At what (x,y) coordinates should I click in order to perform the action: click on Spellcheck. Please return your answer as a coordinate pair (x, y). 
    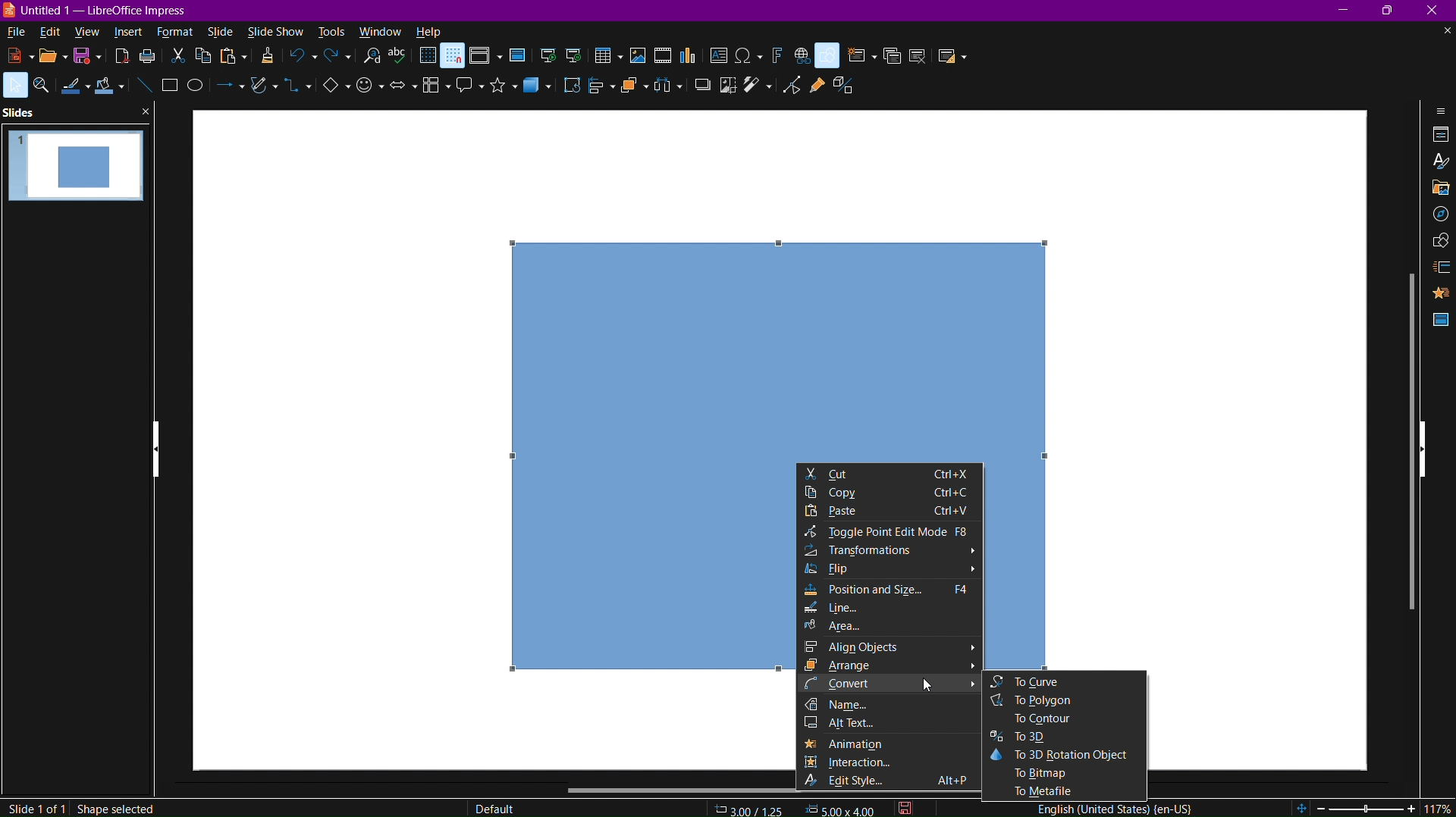
    Looking at the image, I should click on (401, 59).